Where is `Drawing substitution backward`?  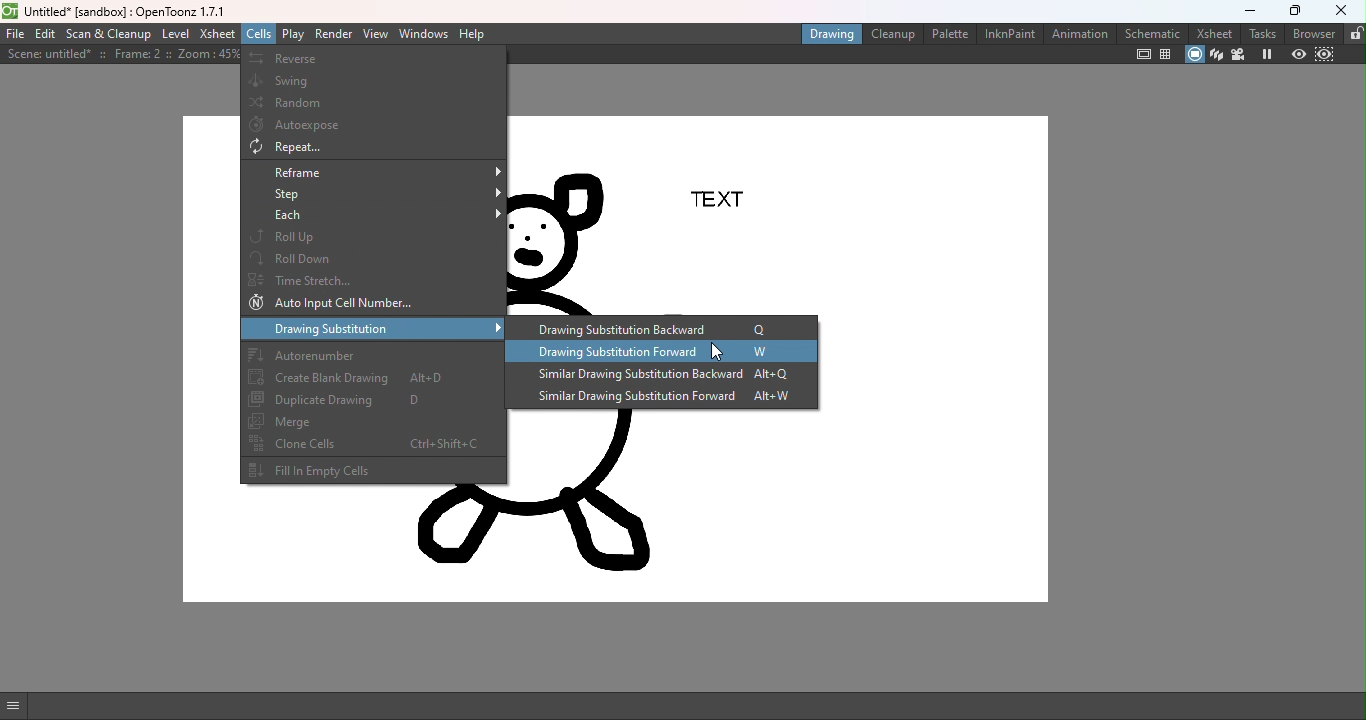
Drawing substitution backward is located at coordinates (665, 328).